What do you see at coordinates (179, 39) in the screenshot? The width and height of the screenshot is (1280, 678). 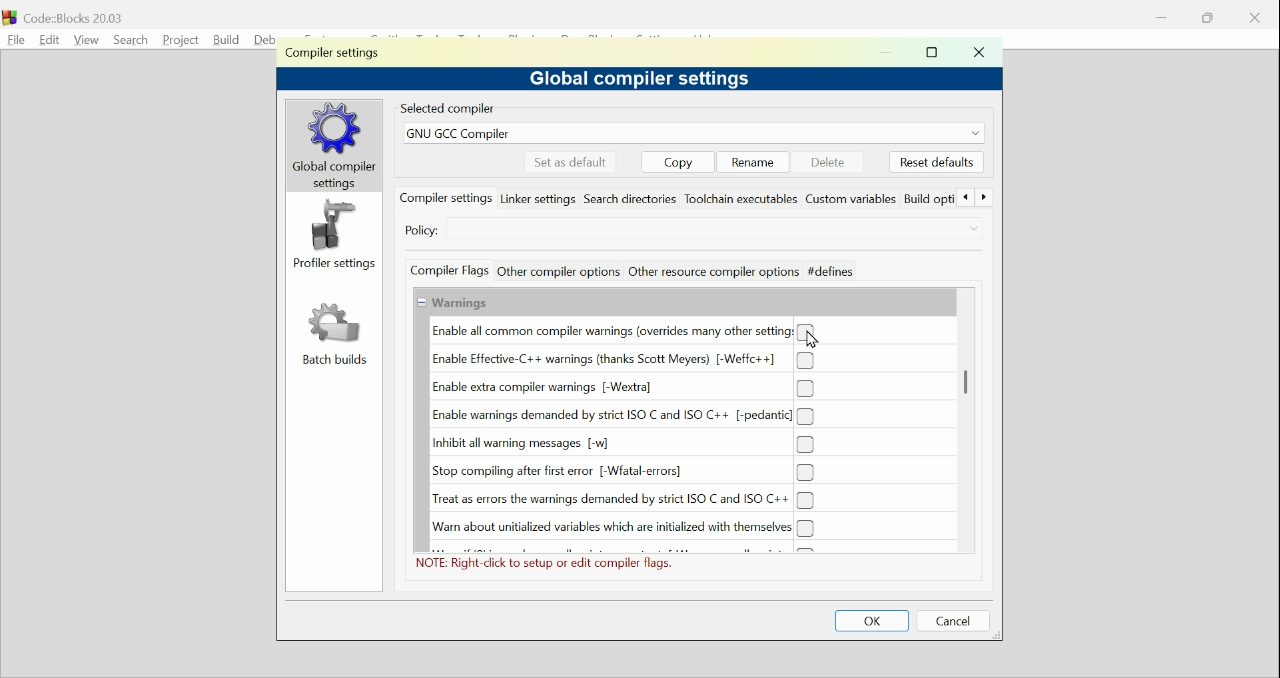 I see `Project` at bounding box center [179, 39].